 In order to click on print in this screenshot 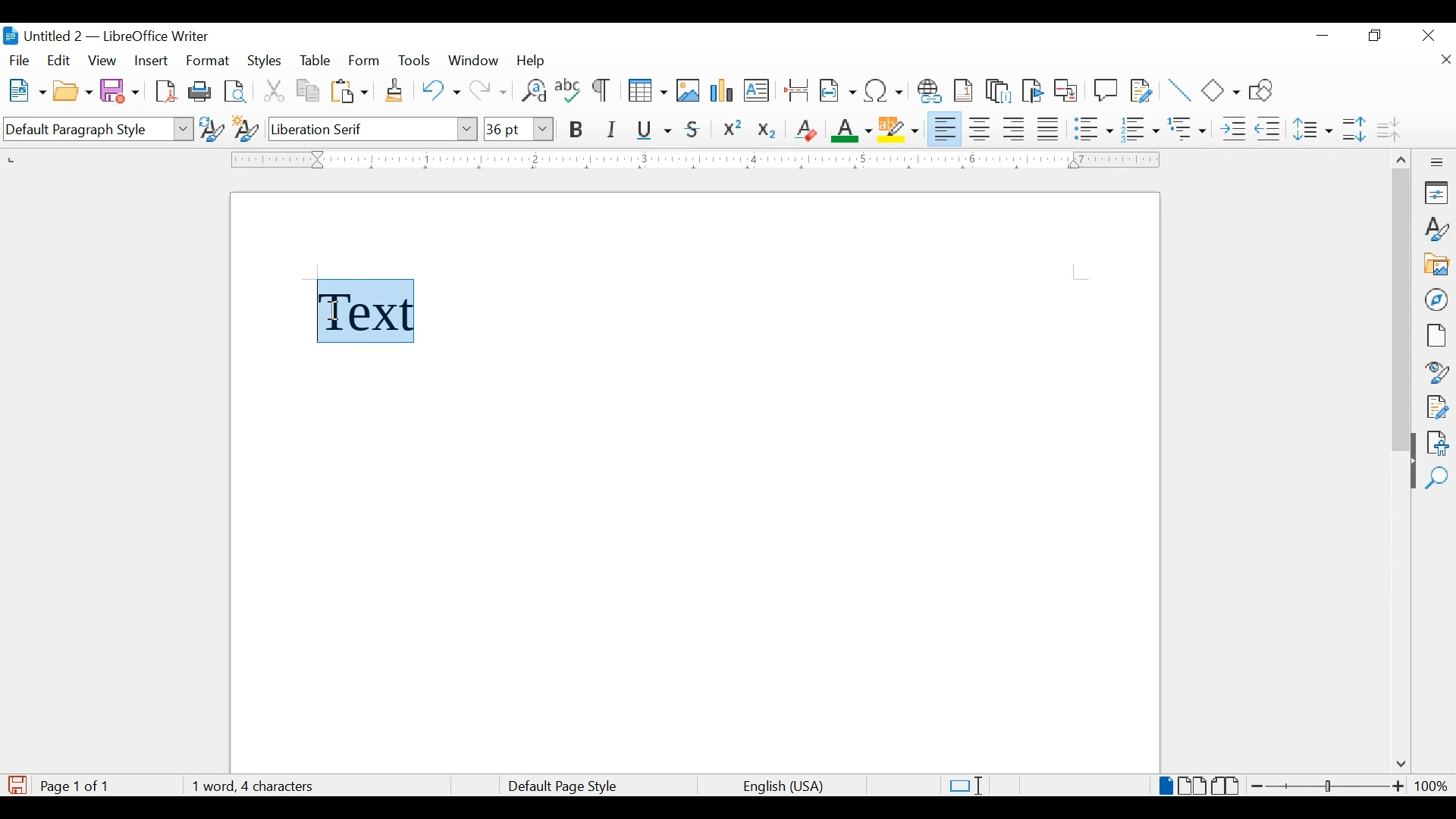, I will do `click(200, 90)`.